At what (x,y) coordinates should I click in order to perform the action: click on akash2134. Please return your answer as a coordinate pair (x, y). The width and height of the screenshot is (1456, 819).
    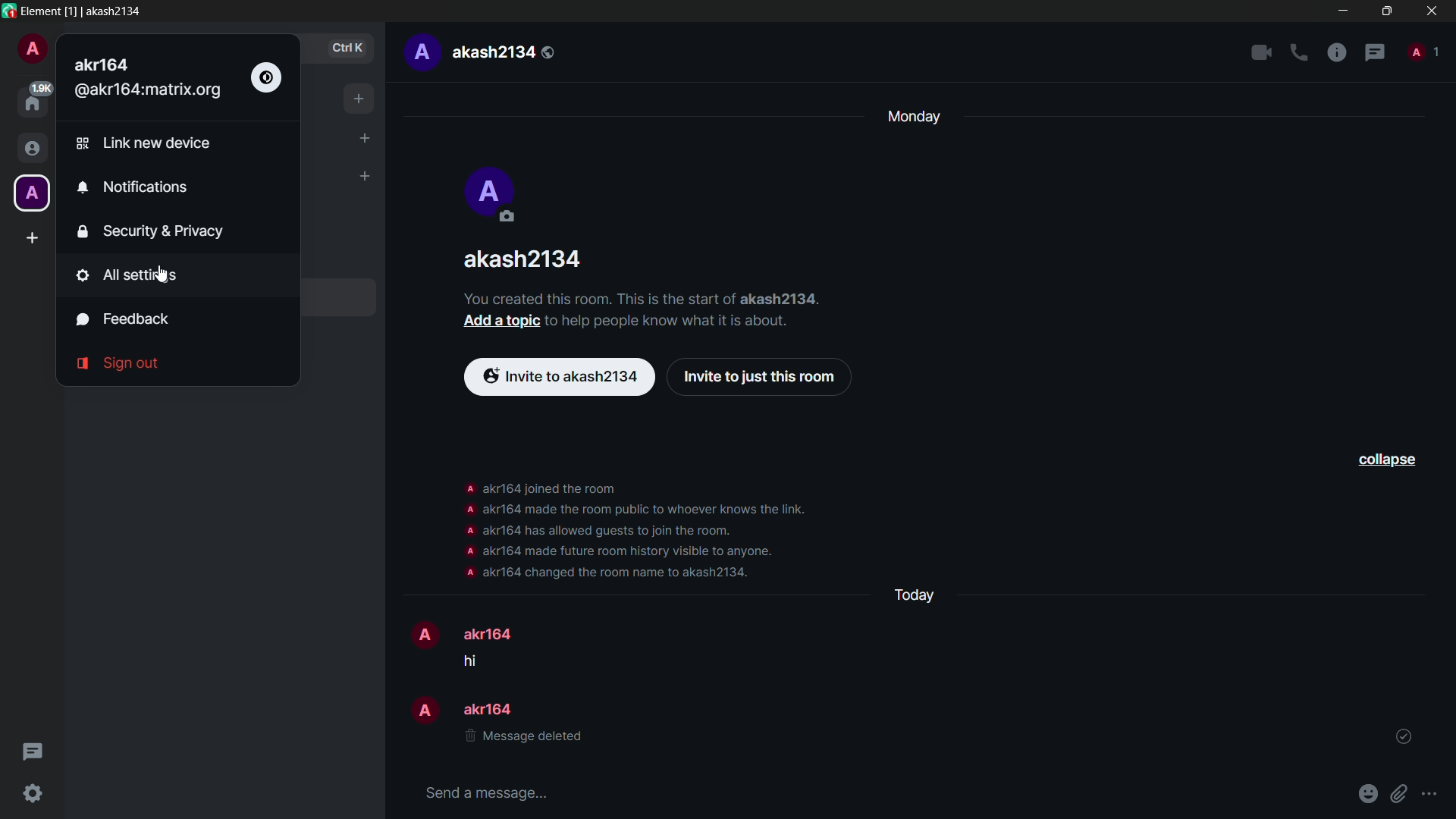
    Looking at the image, I should click on (504, 52).